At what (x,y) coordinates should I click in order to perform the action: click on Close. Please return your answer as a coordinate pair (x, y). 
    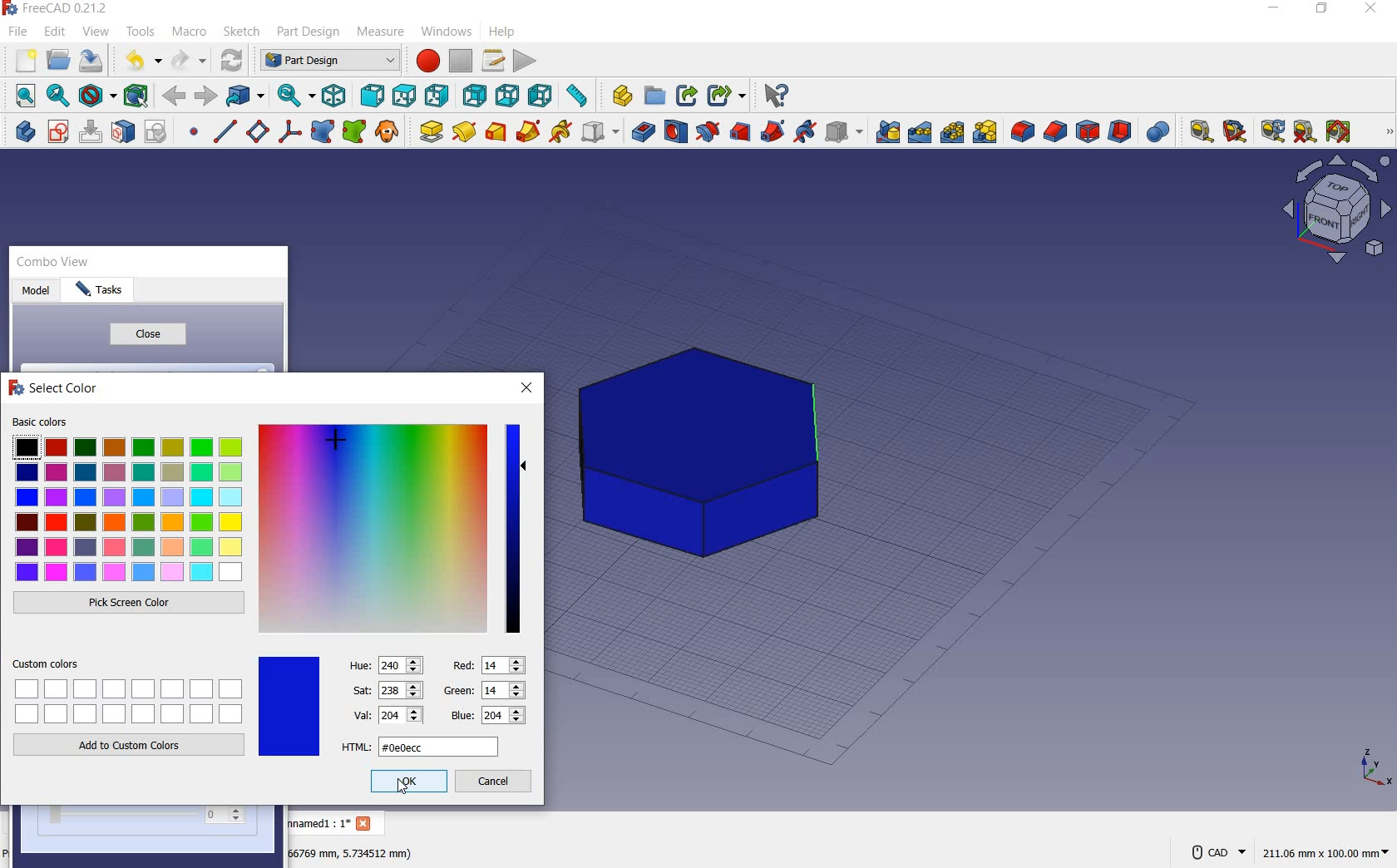
    Looking at the image, I should click on (366, 825).